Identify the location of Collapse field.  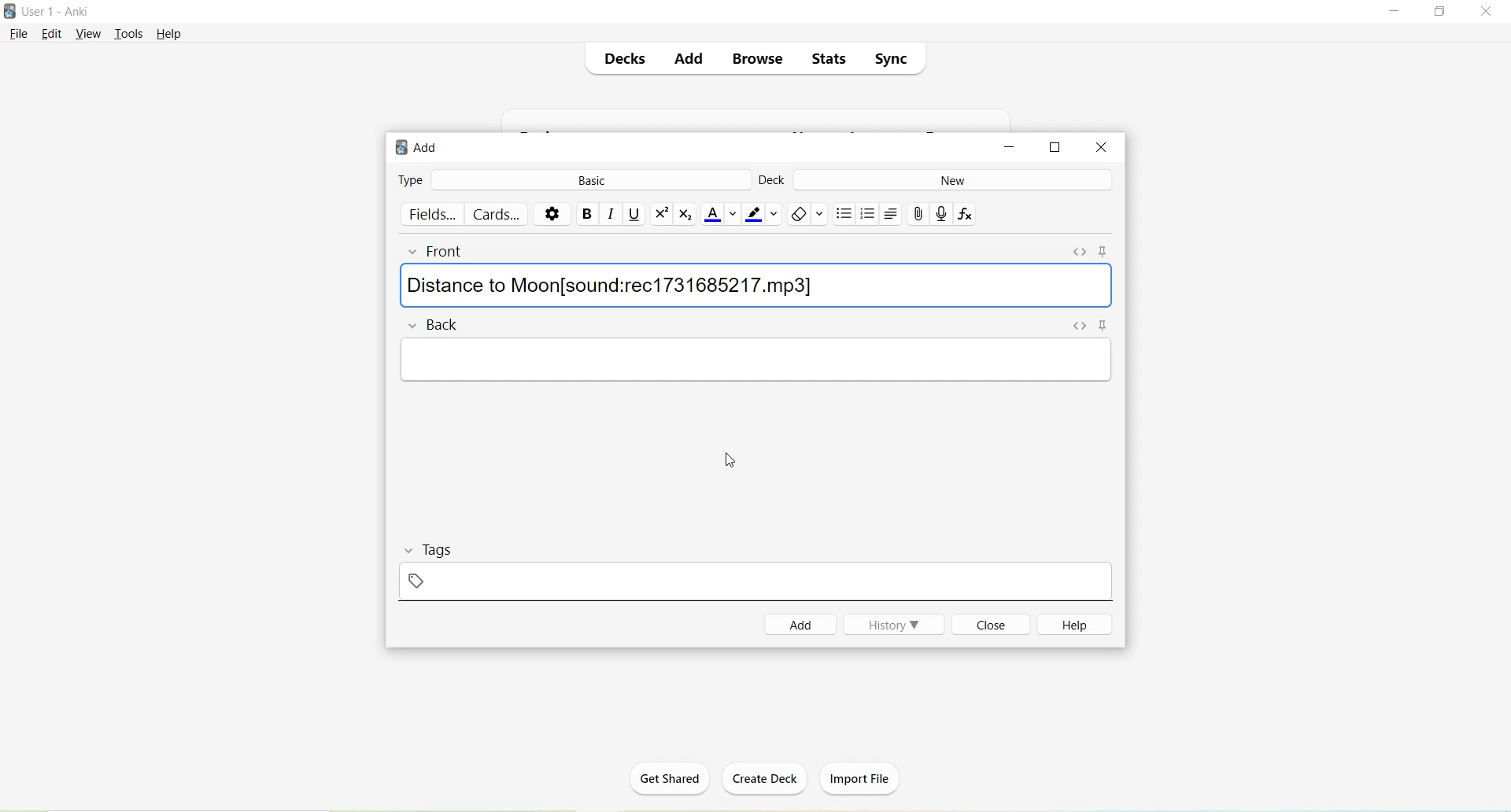
(415, 326).